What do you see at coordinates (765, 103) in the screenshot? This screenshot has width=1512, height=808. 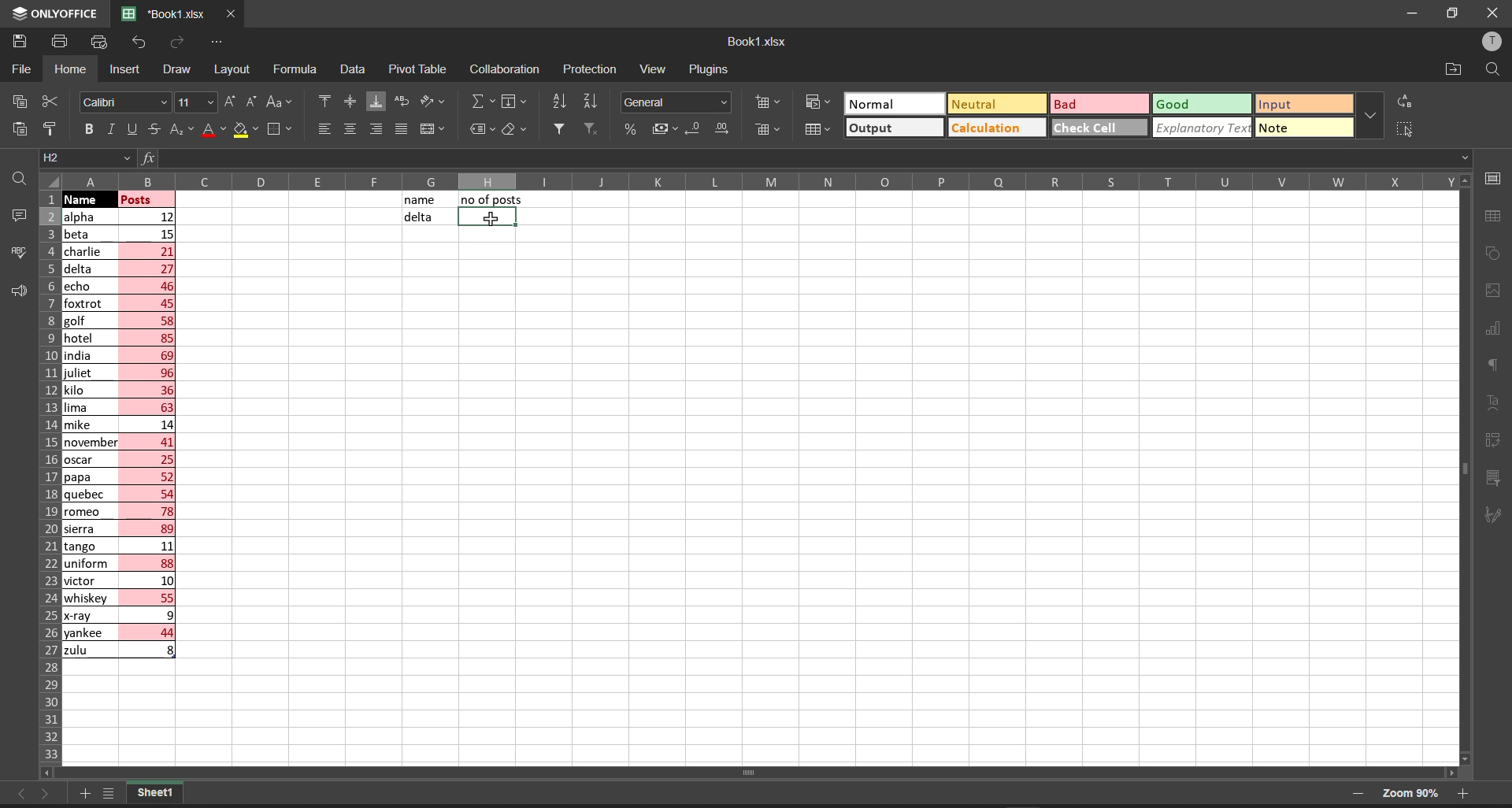 I see `insert cells` at bounding box center [765, 103].